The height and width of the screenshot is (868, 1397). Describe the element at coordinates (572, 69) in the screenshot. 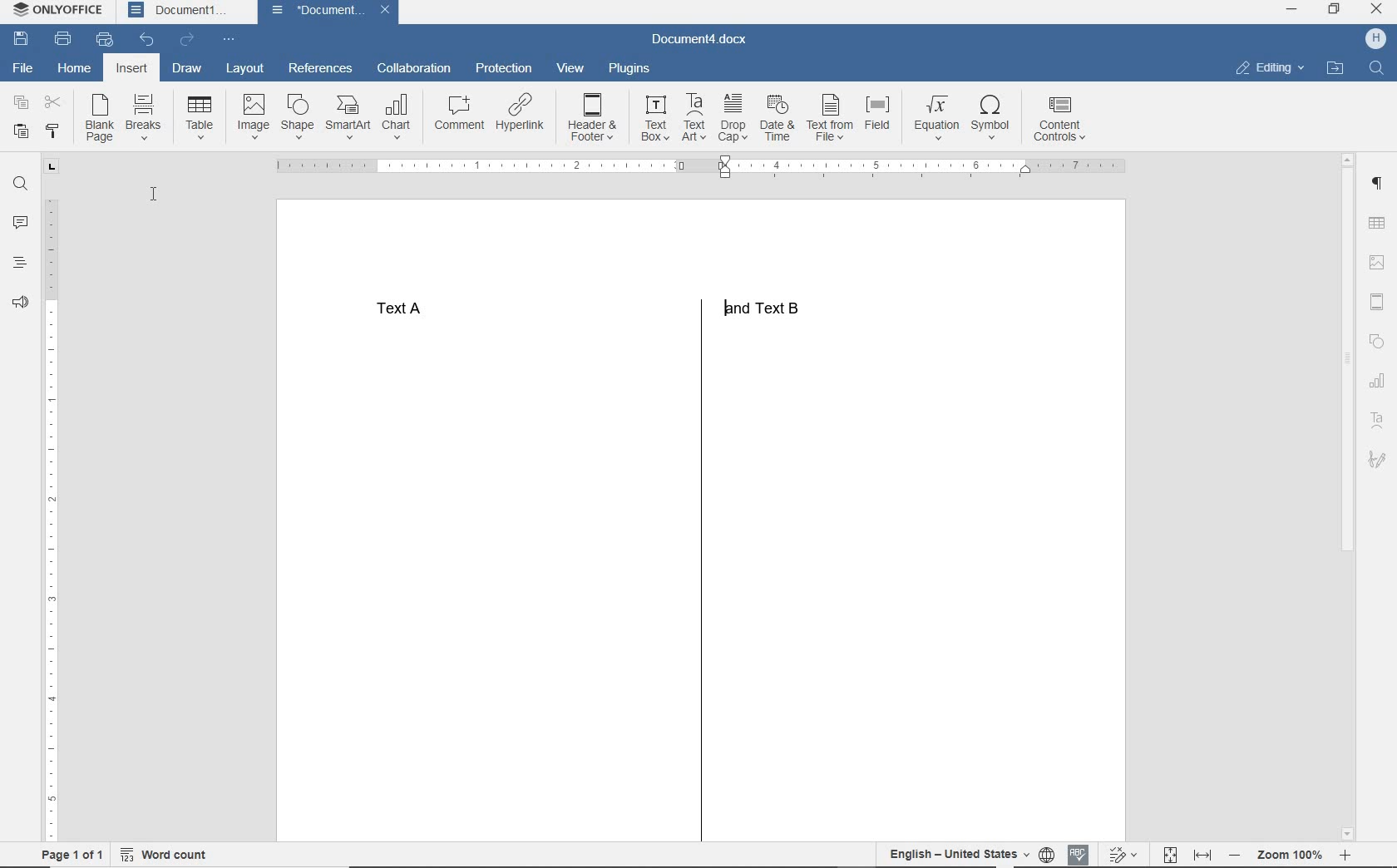

I see `VIEW` at that location.